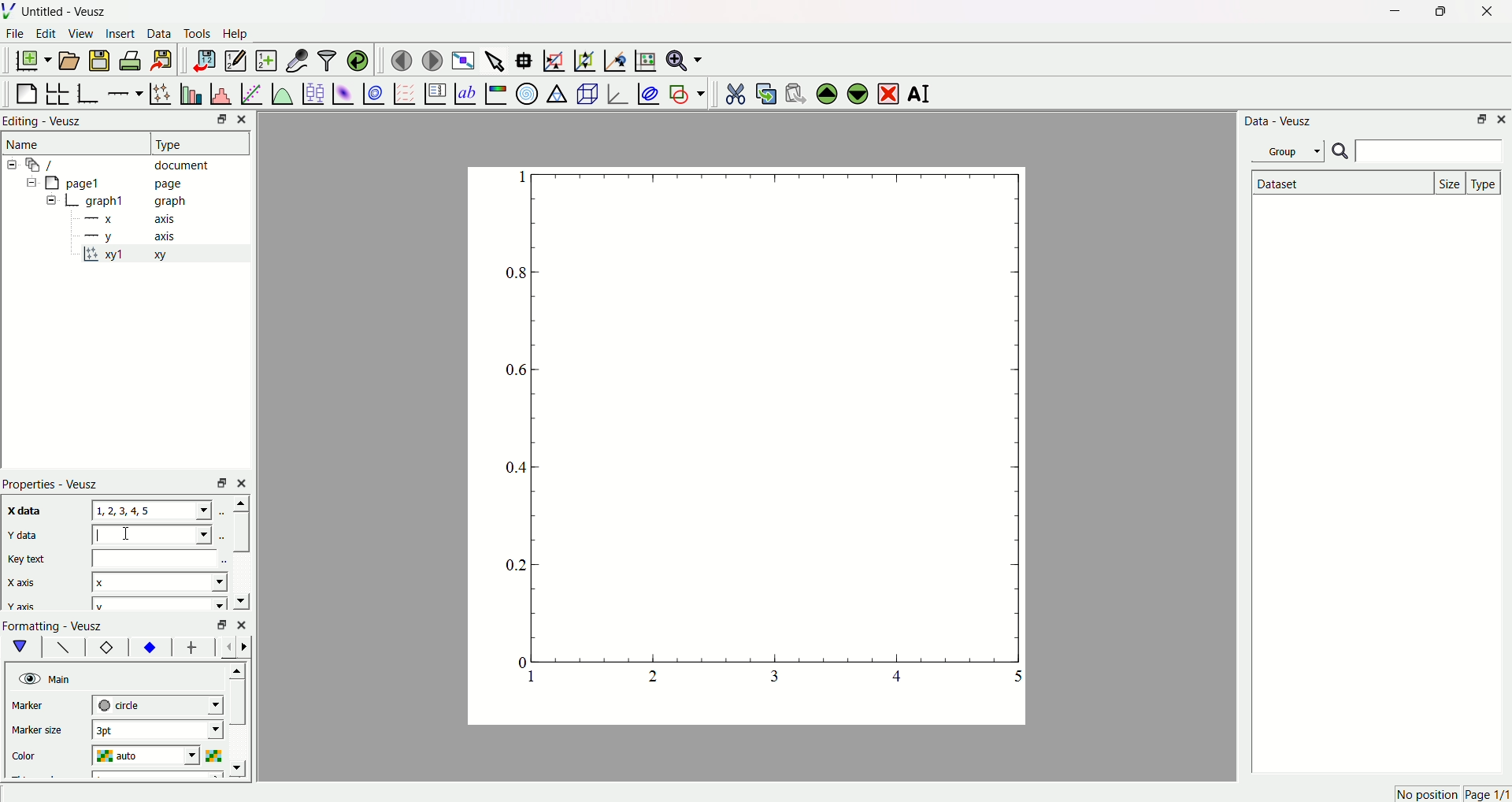 This screenshot has height=802, width=1512. I want to click on Close, so click(1481, 13).